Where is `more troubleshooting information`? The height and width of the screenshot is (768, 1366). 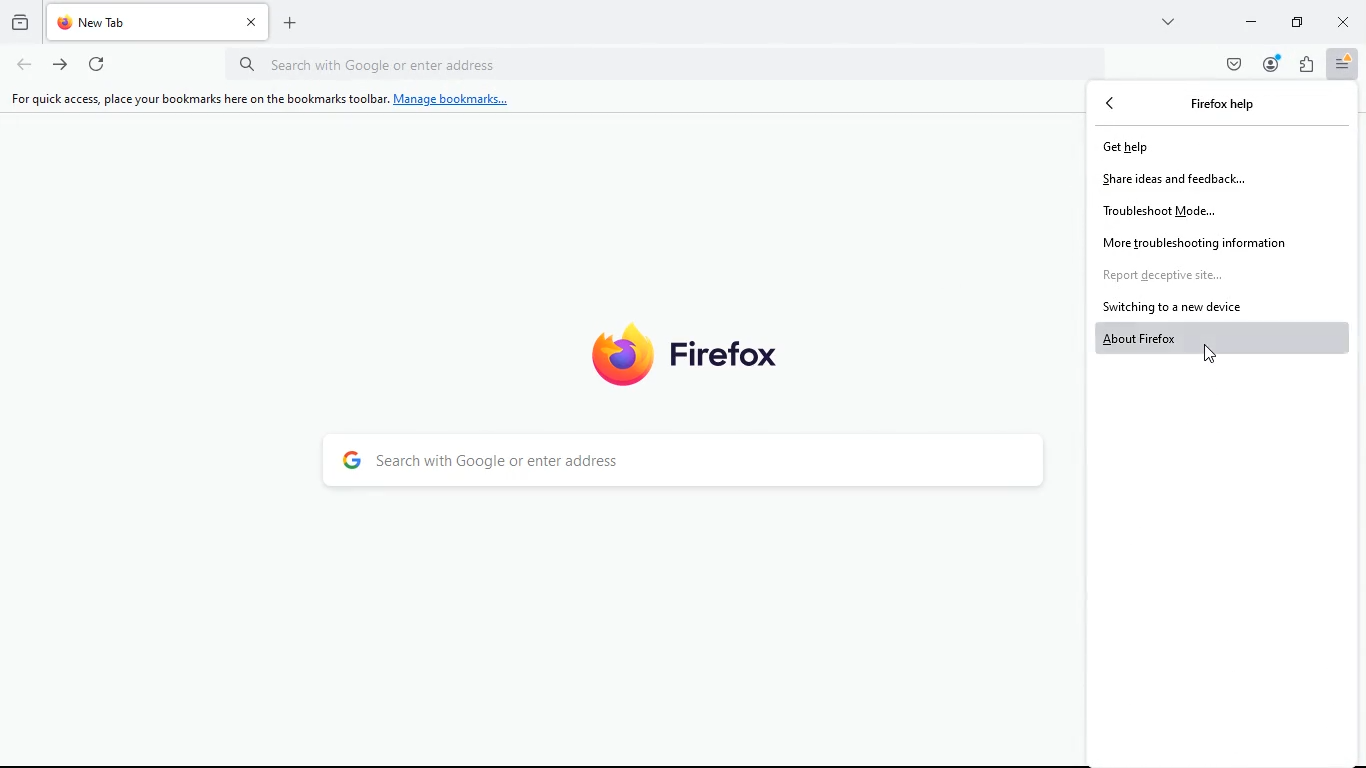
more troubleshooting information is located at coordinates (1213, 242).